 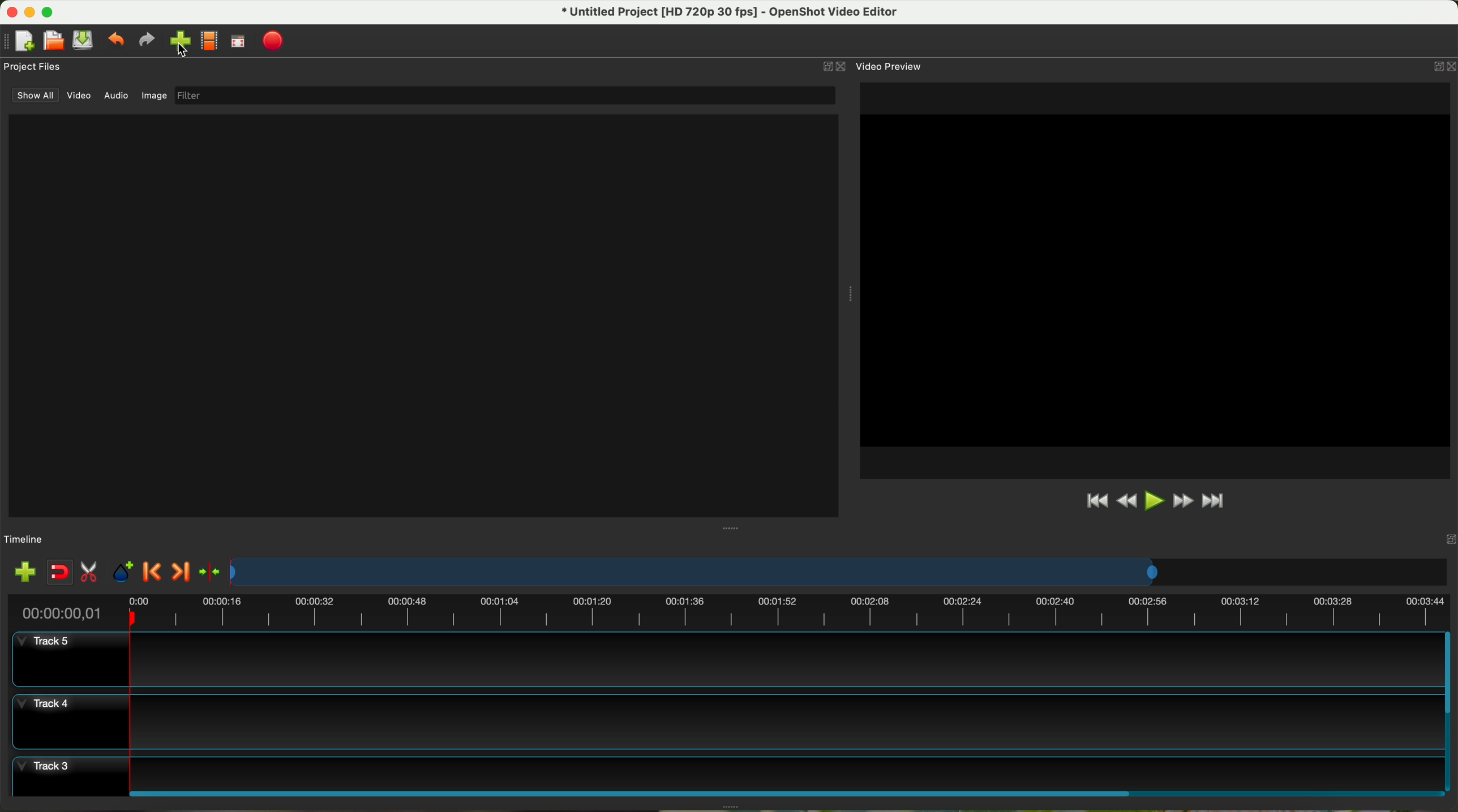 What do you see at coordinates (19, 41) in the screenshot?
I see `new project` at bounding box center [19, 41].